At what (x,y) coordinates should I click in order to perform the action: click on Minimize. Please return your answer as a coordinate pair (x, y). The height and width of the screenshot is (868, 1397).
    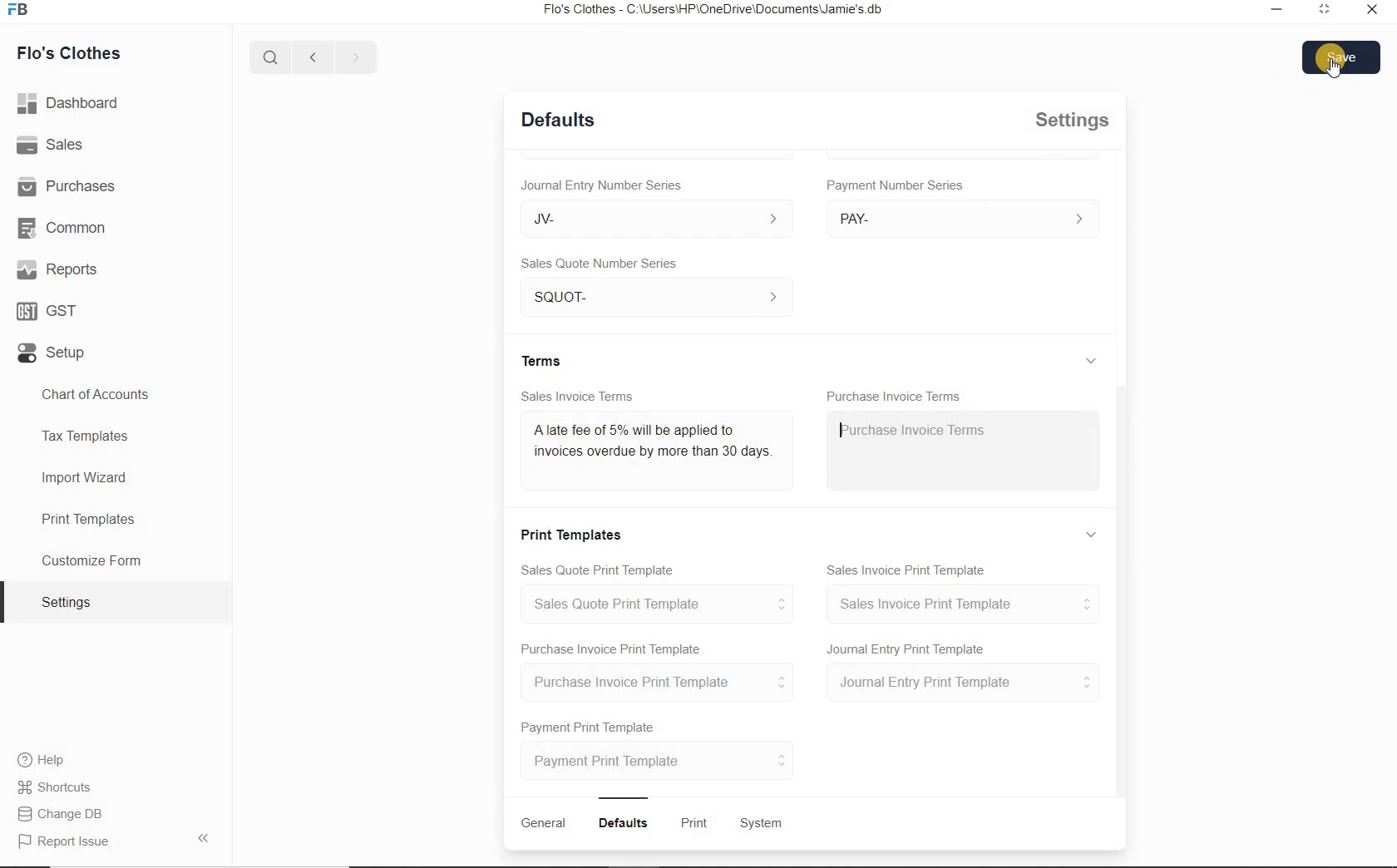
    Looking at the image, I should click on (1276, 10).